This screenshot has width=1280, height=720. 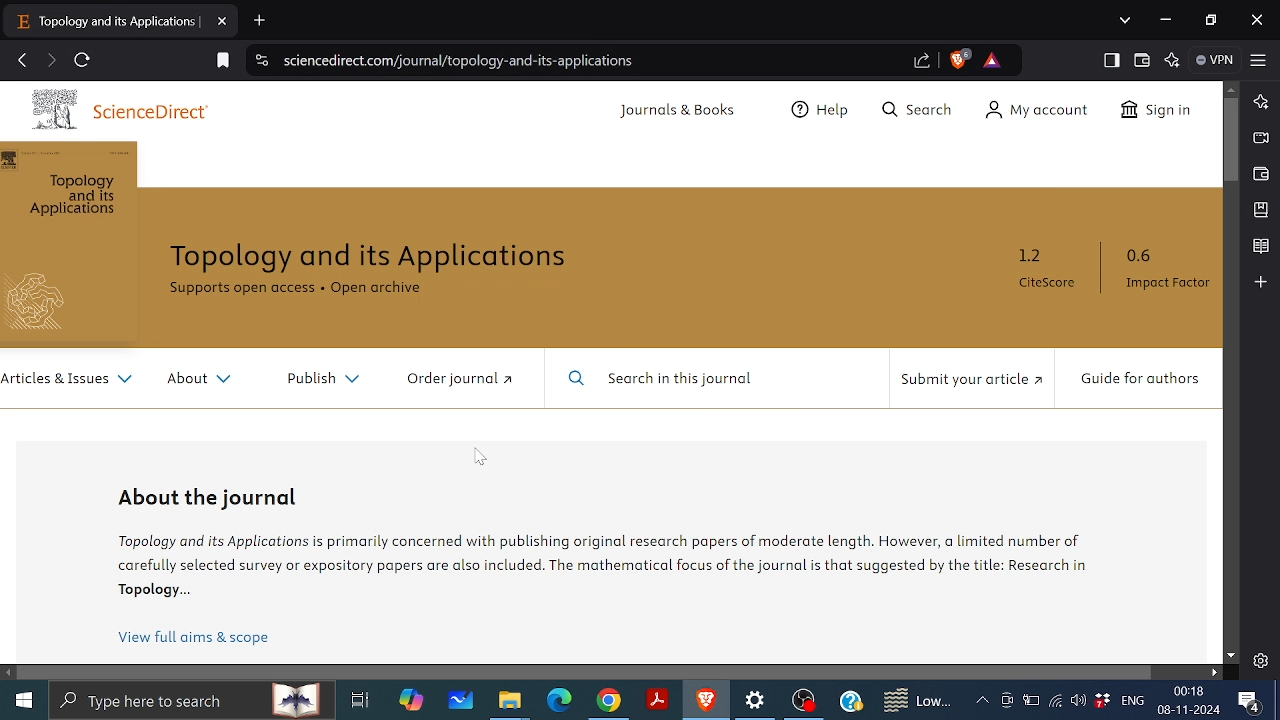 What do you see at coordinates (21, 61) in the screenshot?
I see `Go back to previous page` at bounding box center [21, 61].